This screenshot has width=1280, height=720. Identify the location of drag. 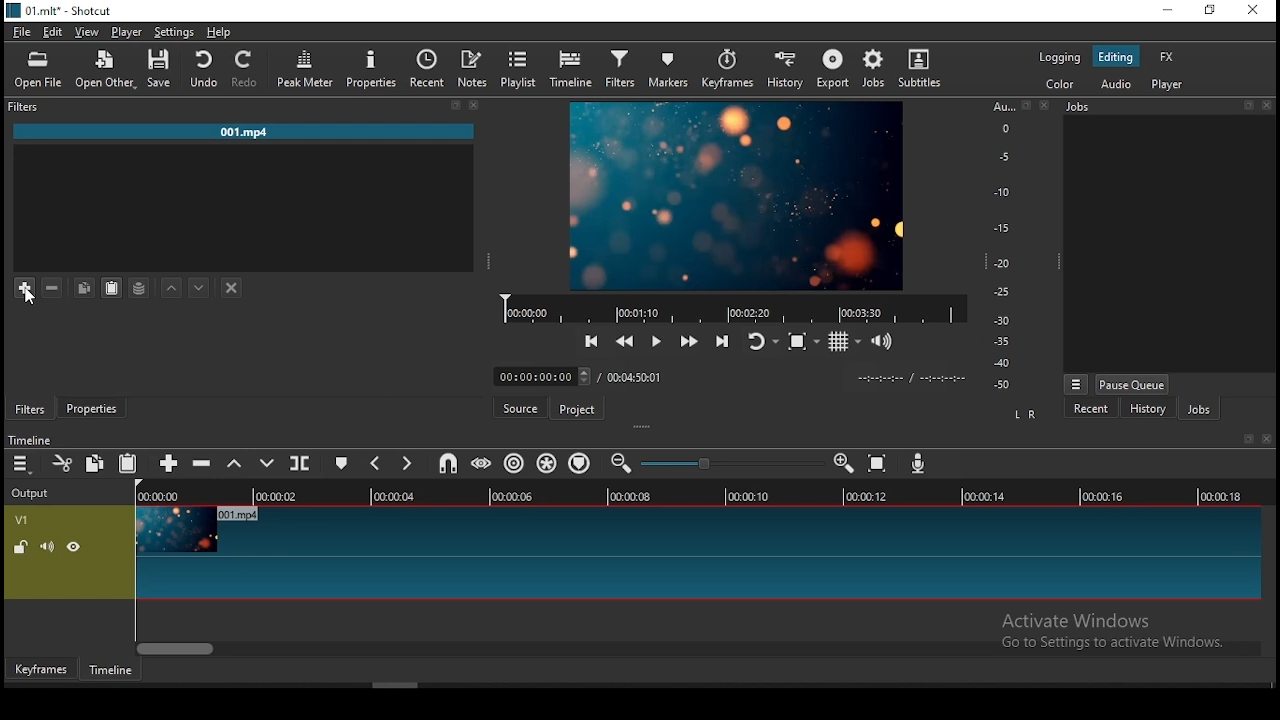
(1053, 264).